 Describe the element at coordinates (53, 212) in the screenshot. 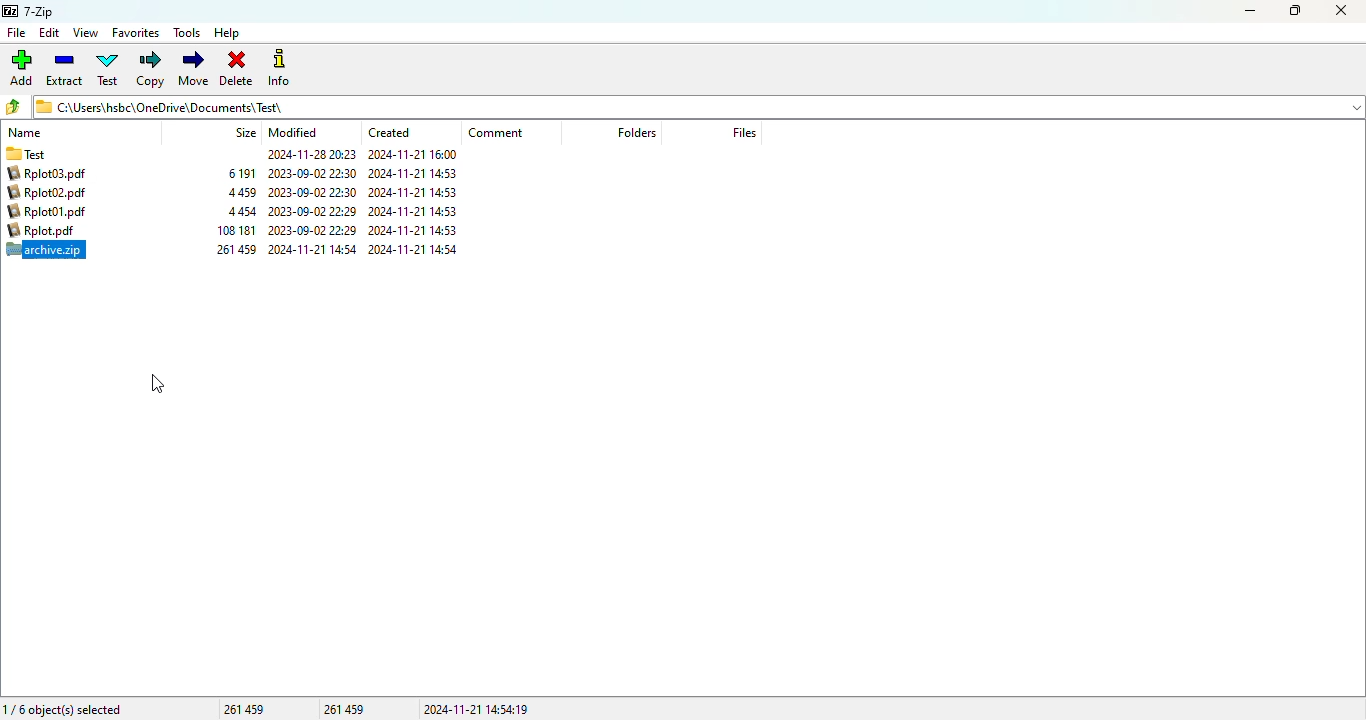

I see `Rplot02.pdf 4459 2023-09-02 22:30 2024-11-21 14:53` at that location.